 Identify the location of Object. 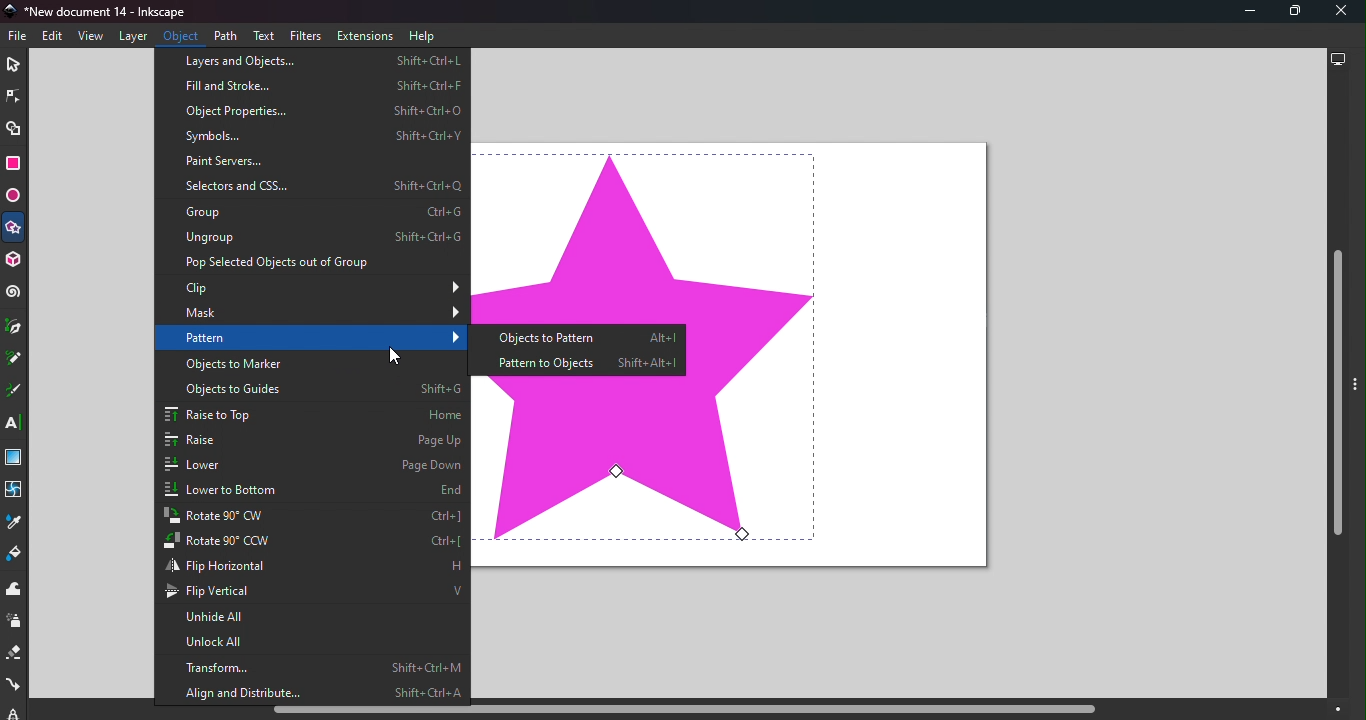
(180, 37).